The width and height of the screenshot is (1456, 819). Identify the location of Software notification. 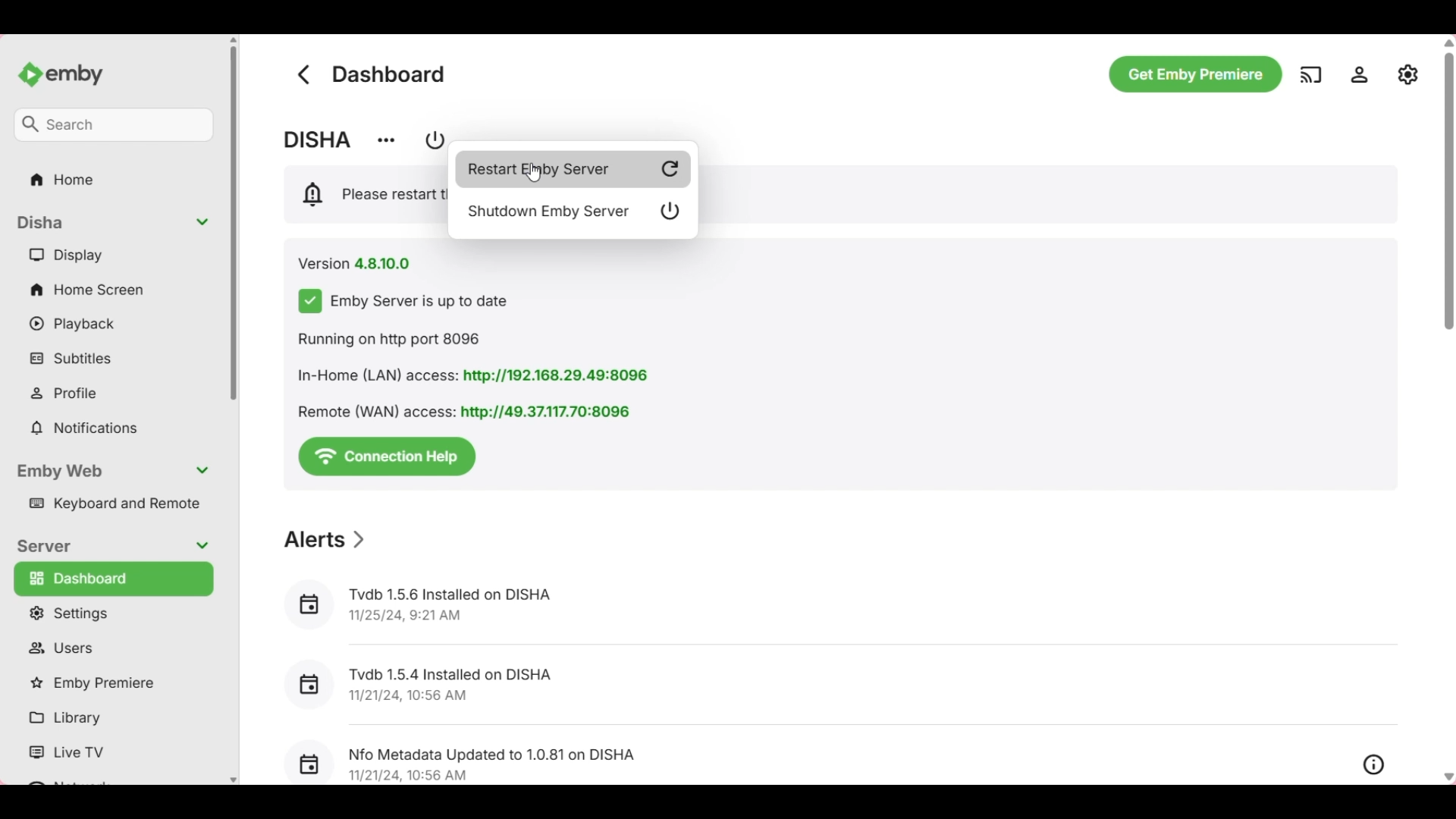
(366, 194).